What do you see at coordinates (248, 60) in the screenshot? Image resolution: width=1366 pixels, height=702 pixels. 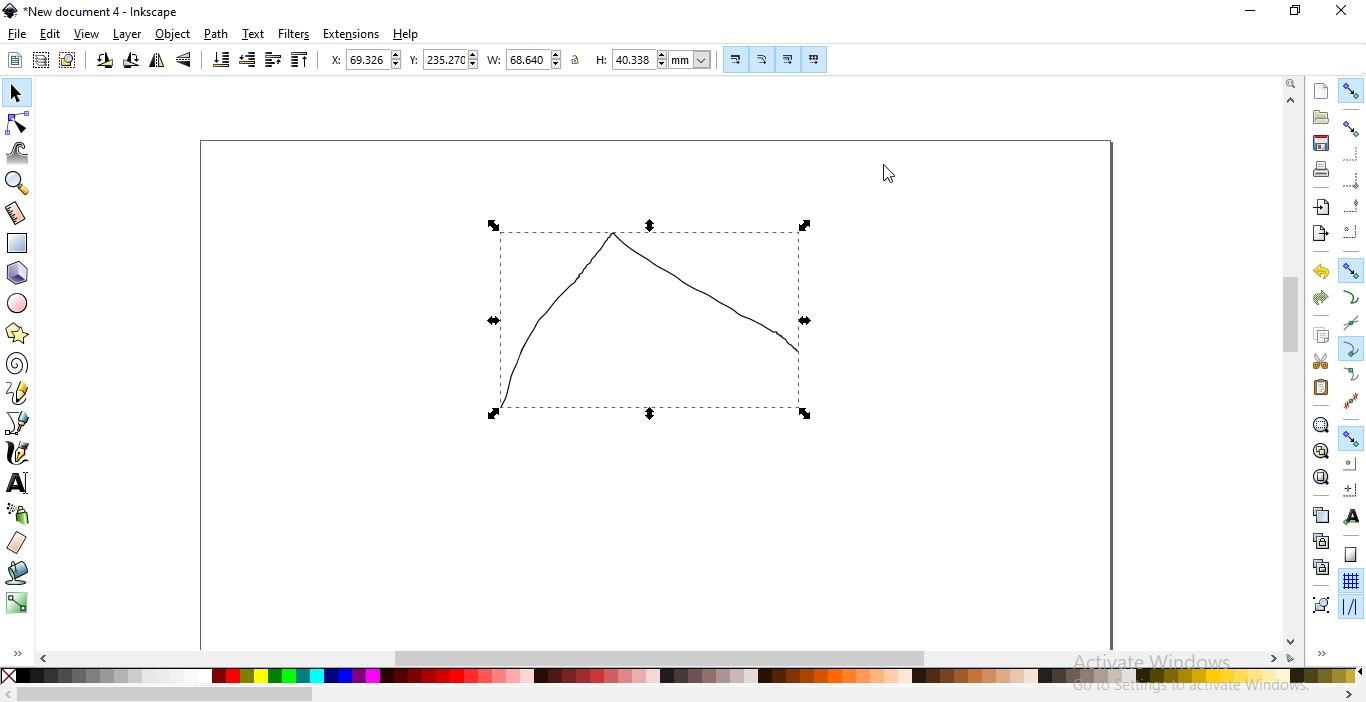 I see `lower selection one step` at bounding box center [248, 60].